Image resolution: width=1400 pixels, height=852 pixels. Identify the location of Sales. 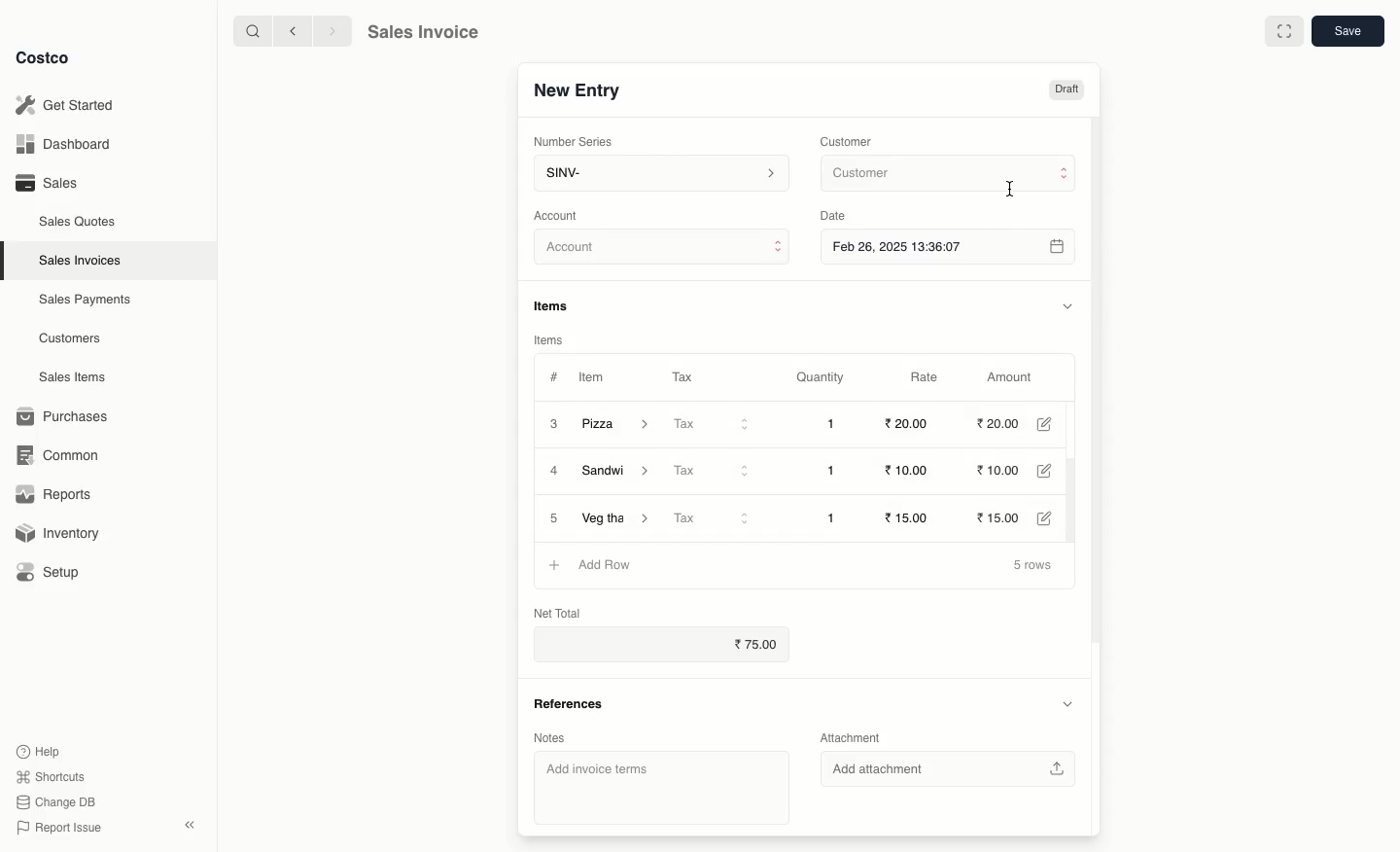
(46, 183).